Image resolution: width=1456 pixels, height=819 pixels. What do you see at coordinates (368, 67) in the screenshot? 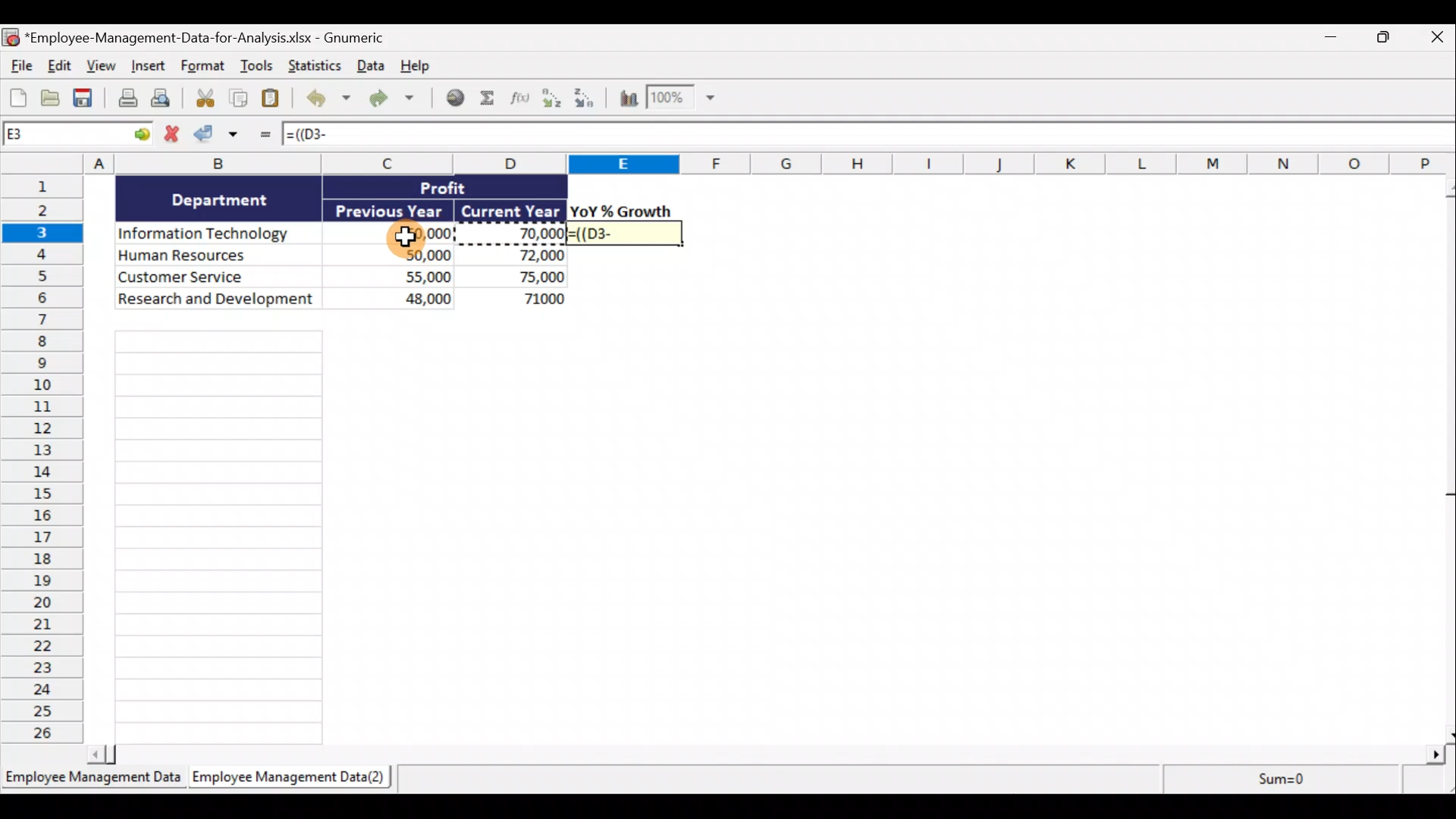
I see `Data` at bounding box center [368, 67].